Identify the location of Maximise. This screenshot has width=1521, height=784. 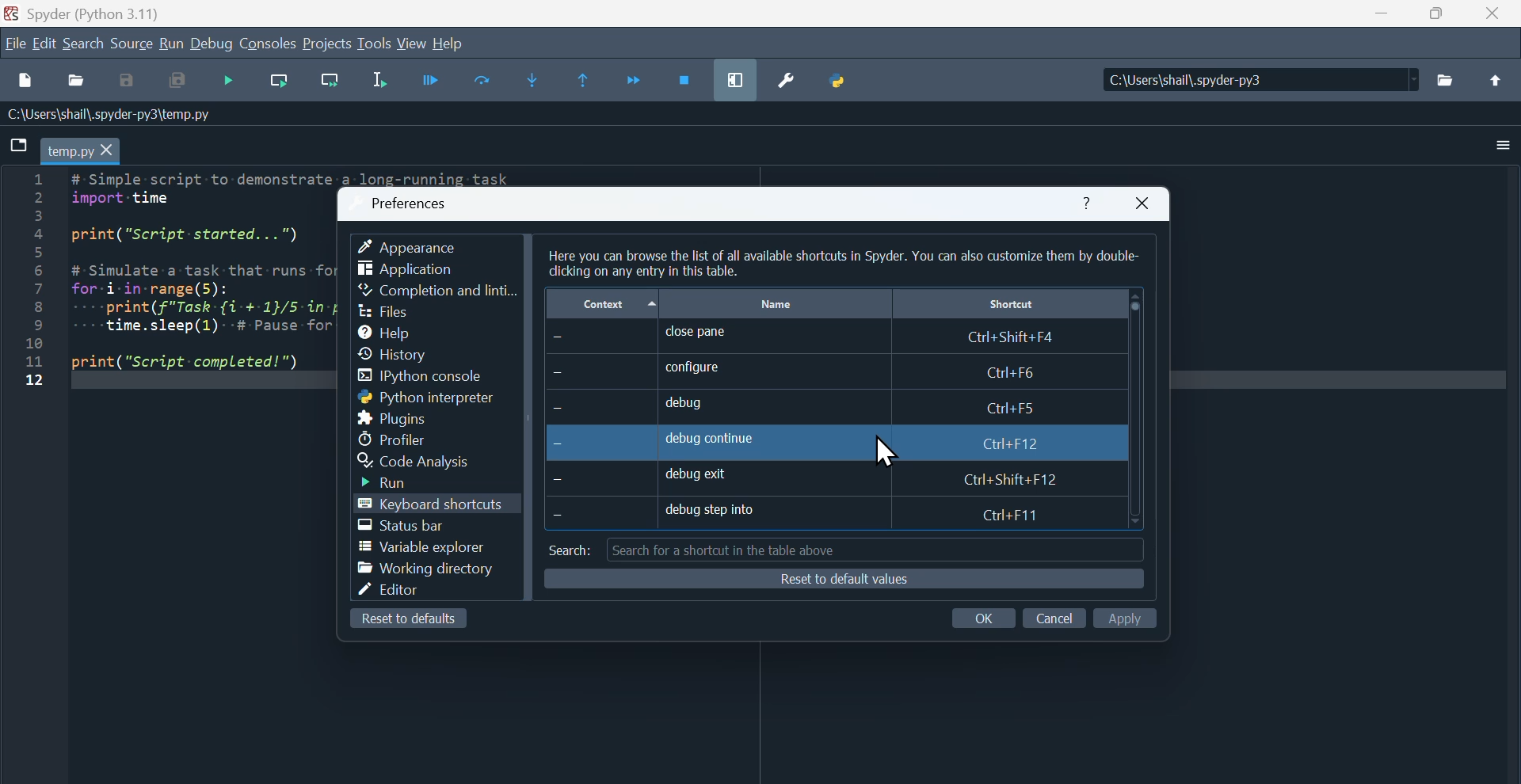
(1436, 16).